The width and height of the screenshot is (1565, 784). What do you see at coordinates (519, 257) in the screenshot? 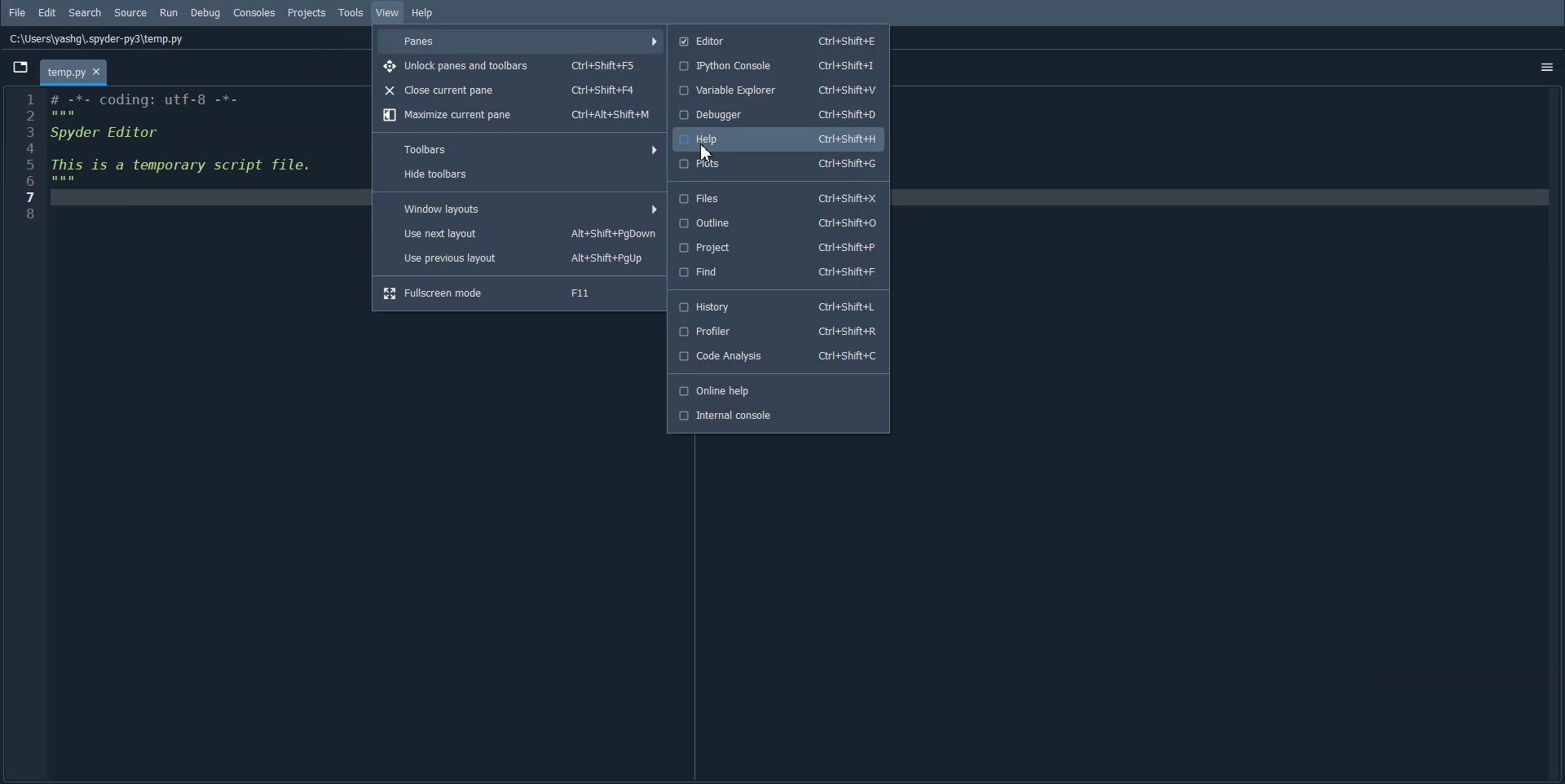
I see `Use previous layout` at bounding box center [519, 257].